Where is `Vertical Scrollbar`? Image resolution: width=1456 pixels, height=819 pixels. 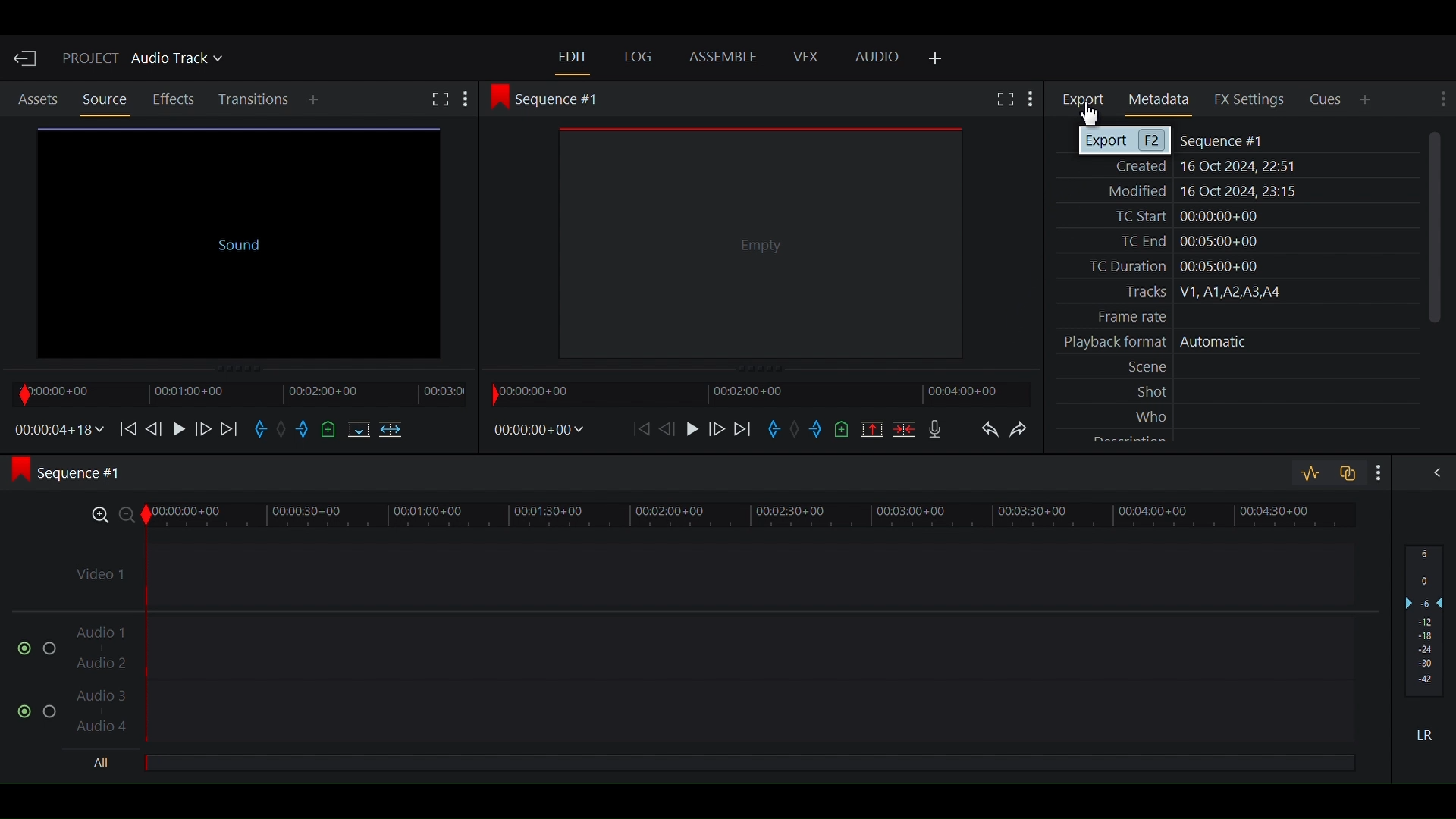 Vertical Scrollbar is located at coordinates (1434, 228).